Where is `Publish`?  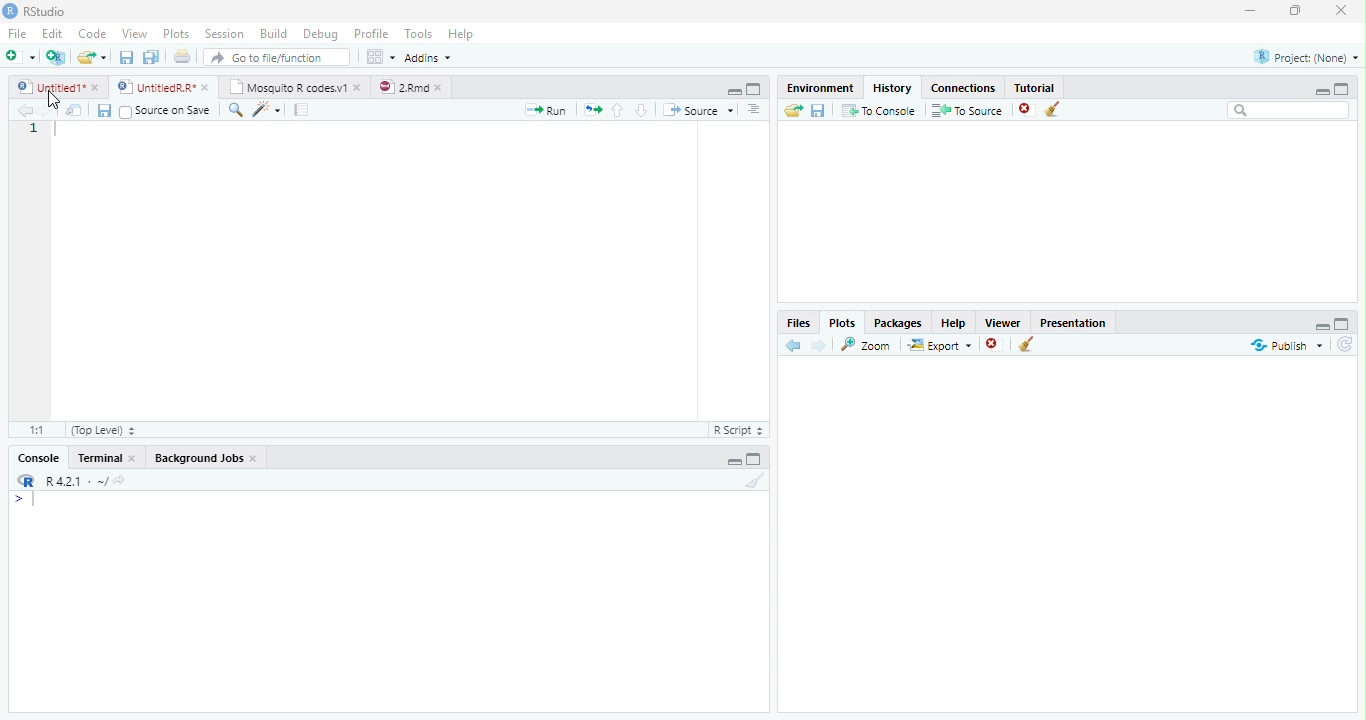
Publish is located at coordinates (1284, 346).